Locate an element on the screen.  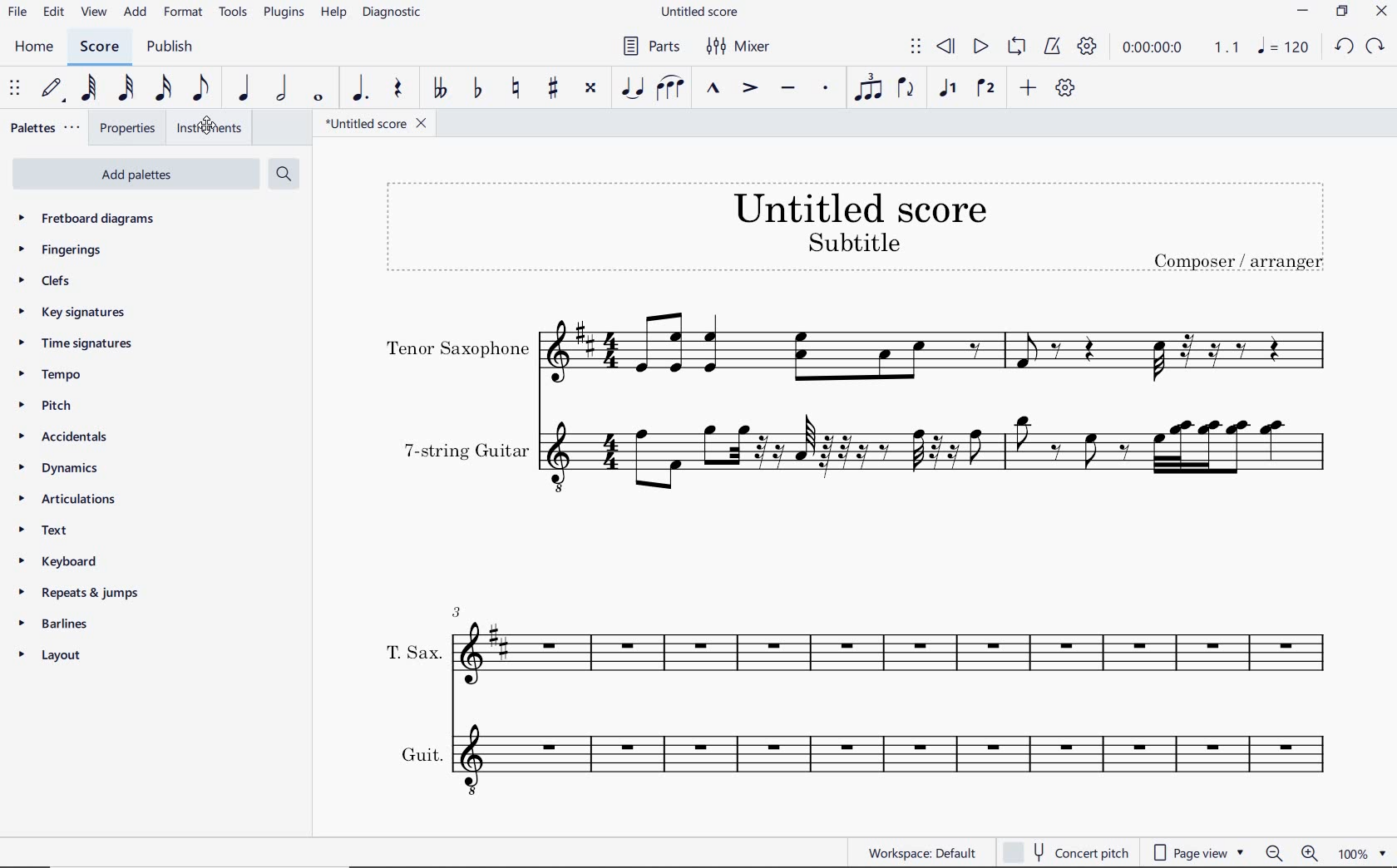
RESTORE DOWN is located at coordinates (1345, 12).